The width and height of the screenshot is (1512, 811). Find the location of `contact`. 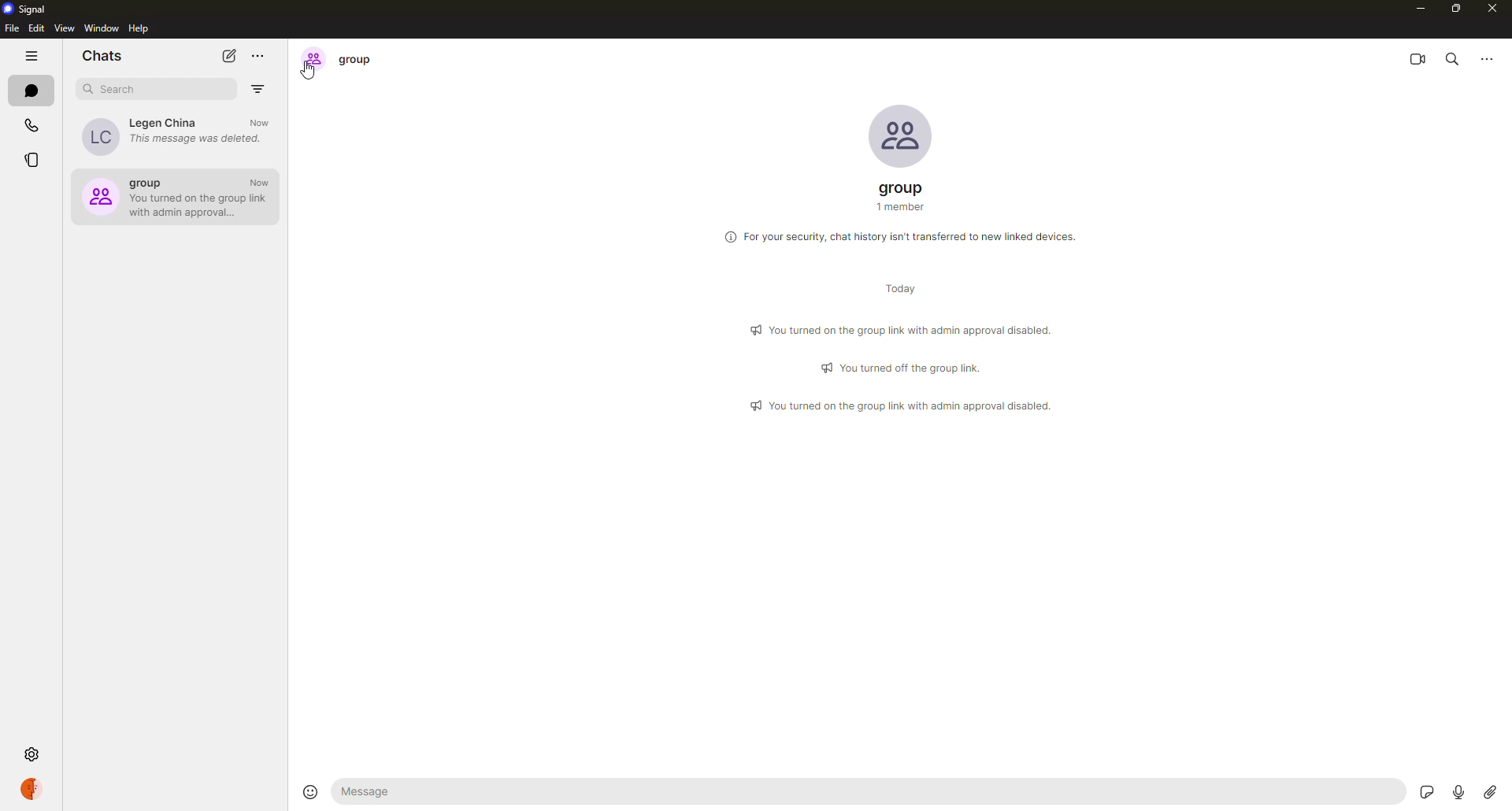

contact is located at coordinates (176, 135).